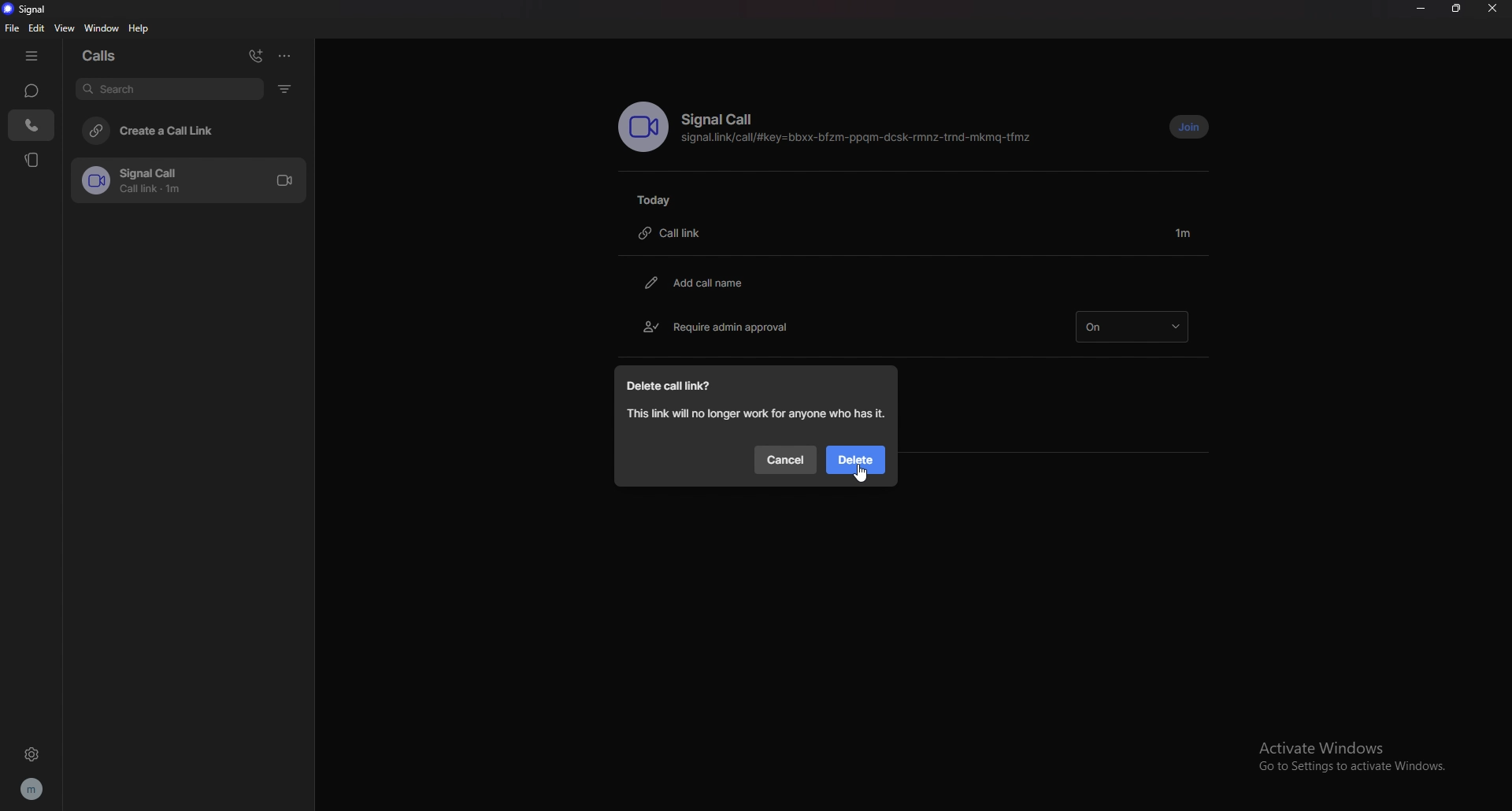  What do you see at coordinates (140, 28) in the screenshot?
I see `help` at bounding box center [140, 28].